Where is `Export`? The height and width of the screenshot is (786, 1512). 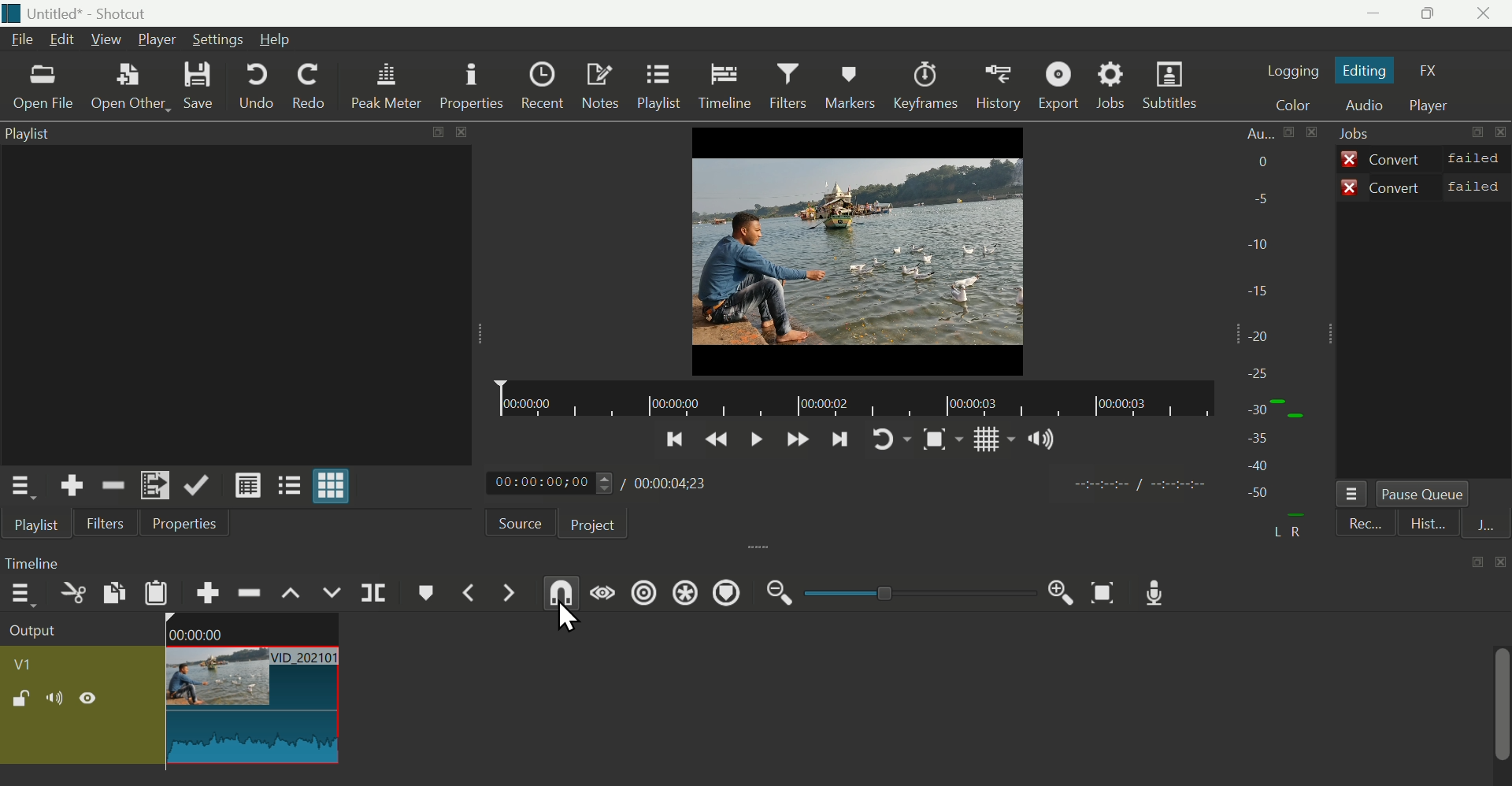 Export is located at coordinates (1061, 87).